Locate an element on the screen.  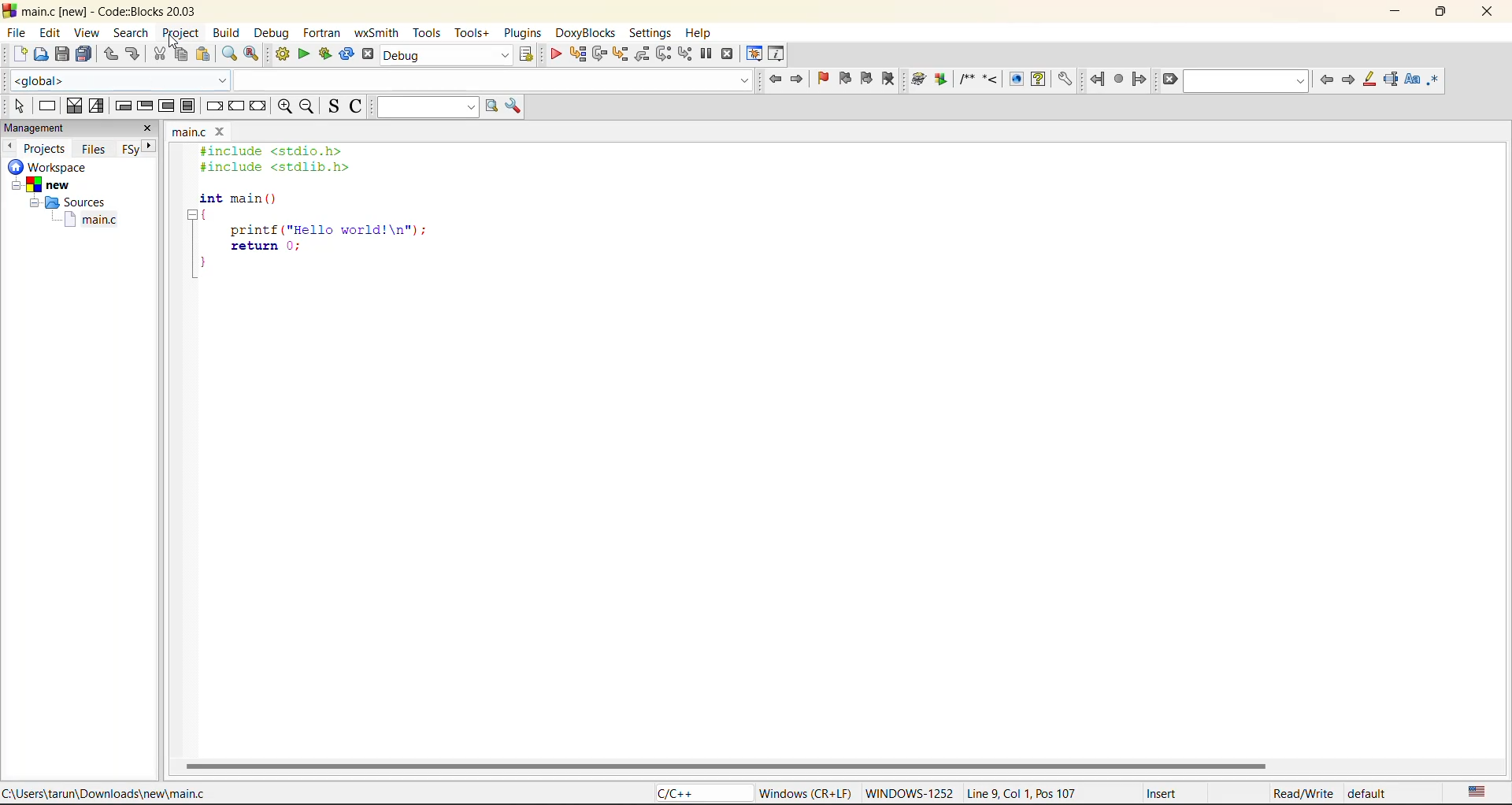
Windows (CR+LF) is located at coordinates (802, 792).